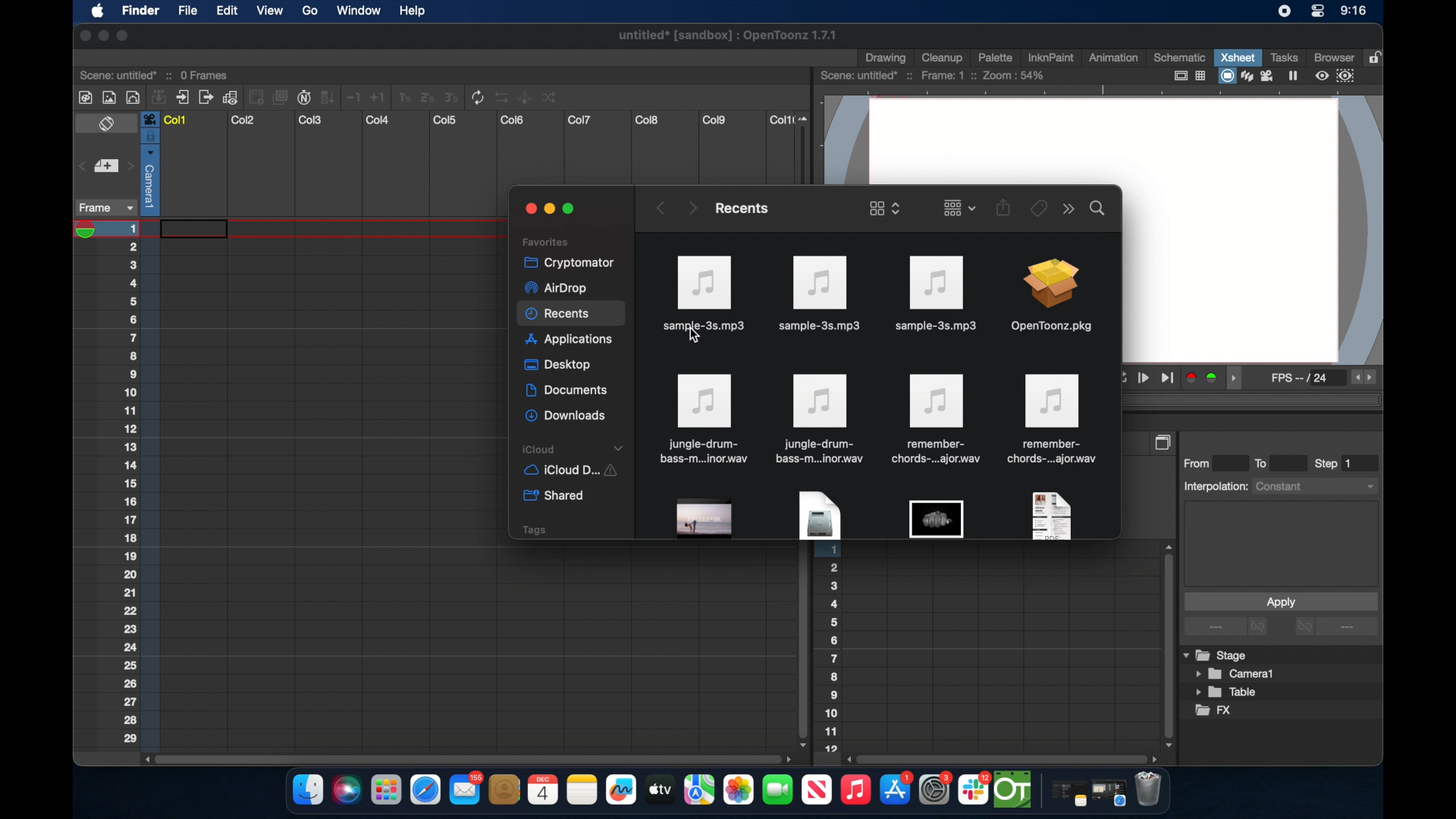 Image resolution: width=1456 pixels, height=819 pixels. What do you see at coordinates (533, 529) in the screenshot?
I see `tags` at bounding box center [533, 529].